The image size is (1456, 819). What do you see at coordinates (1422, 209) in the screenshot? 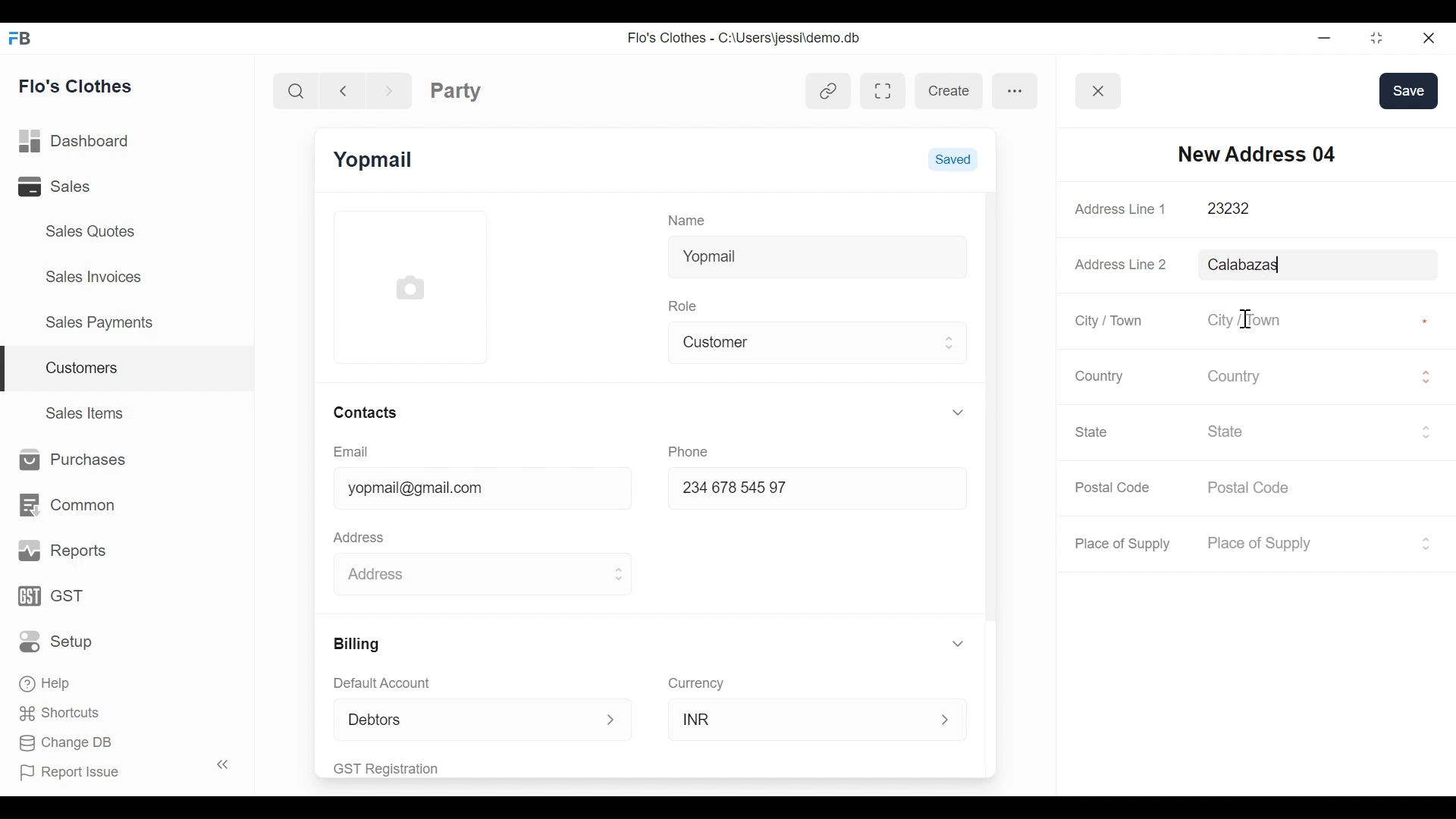
I see `Asterisk` at bounding box center [1422, 209].